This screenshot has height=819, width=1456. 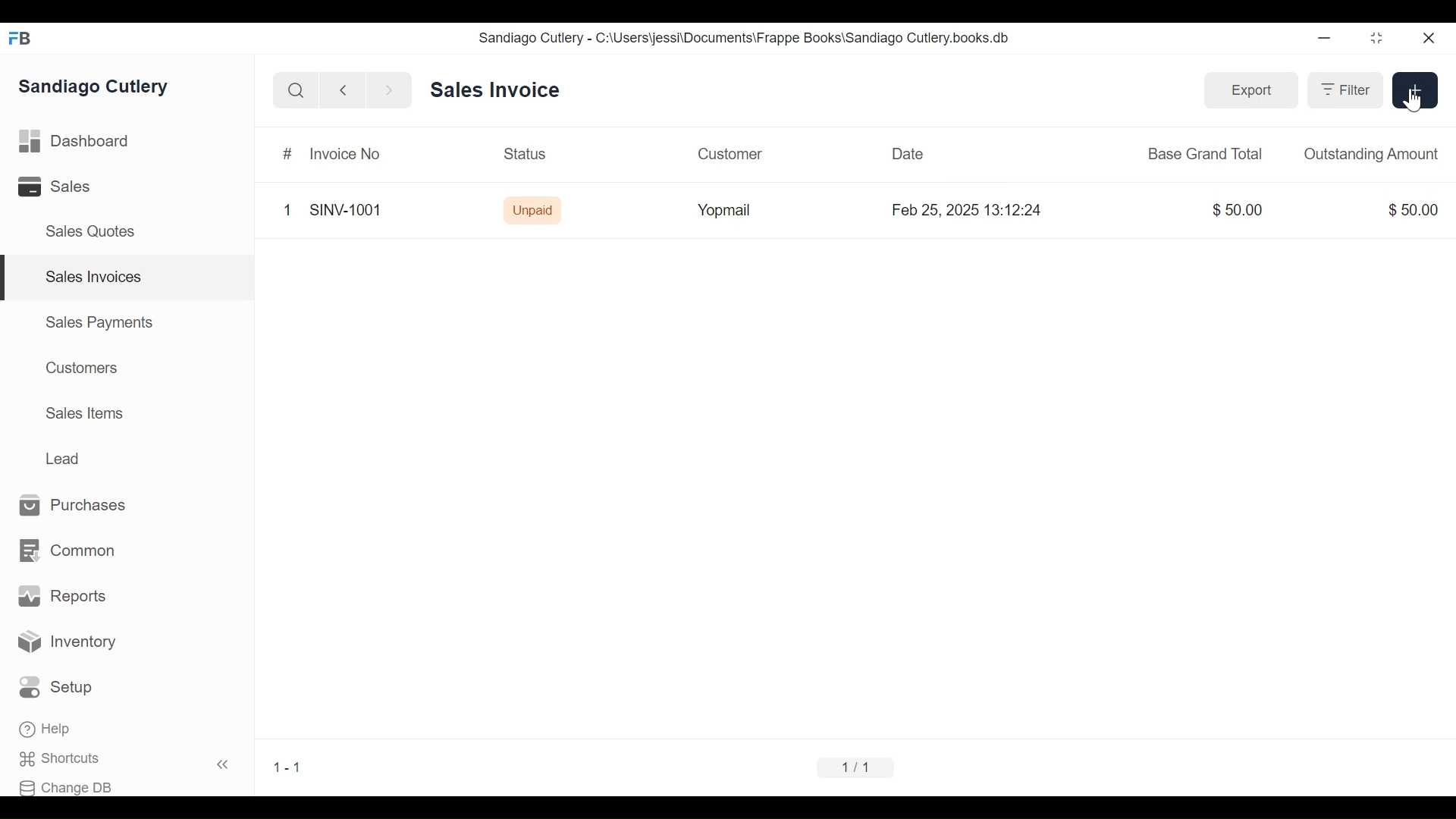 I want to click on minimize, so click(x=1324, y=37).